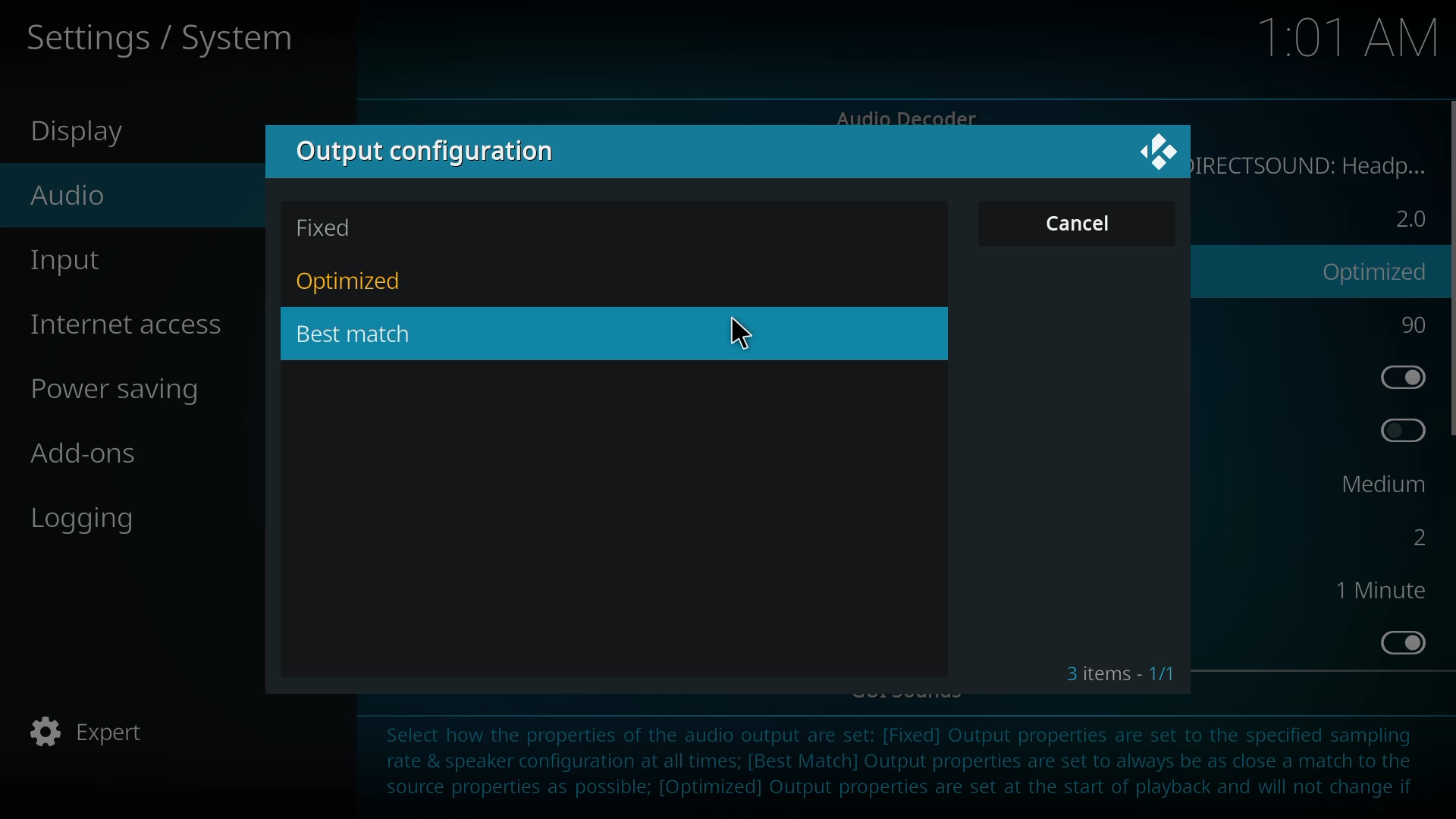 Image resolution: width=1456 pixels, height=819 pixels. I want to click on cancel, so click(1081, 226).